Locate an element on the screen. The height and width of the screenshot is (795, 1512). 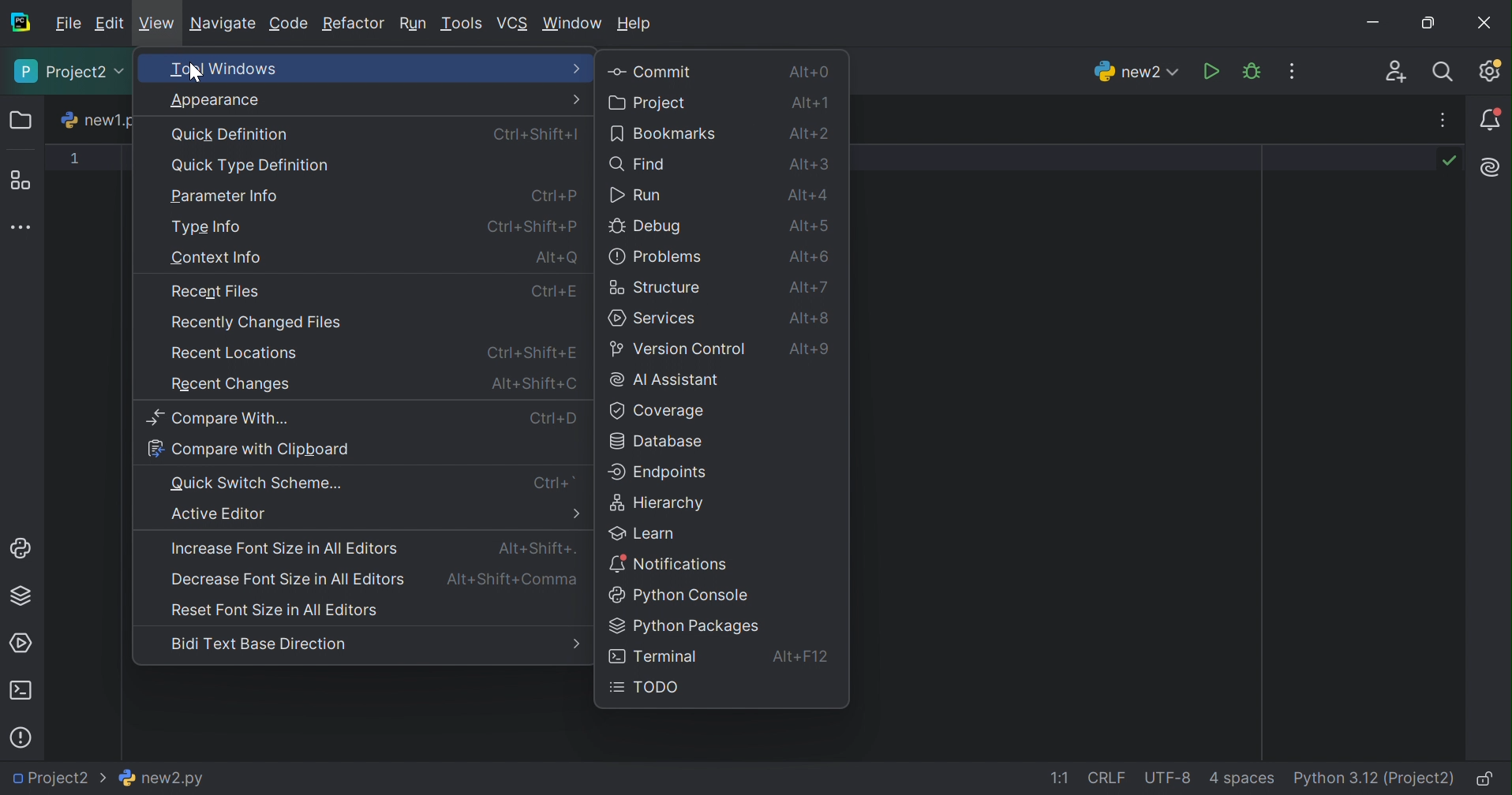
Search everywhere is located at coordinates (1446, 73).